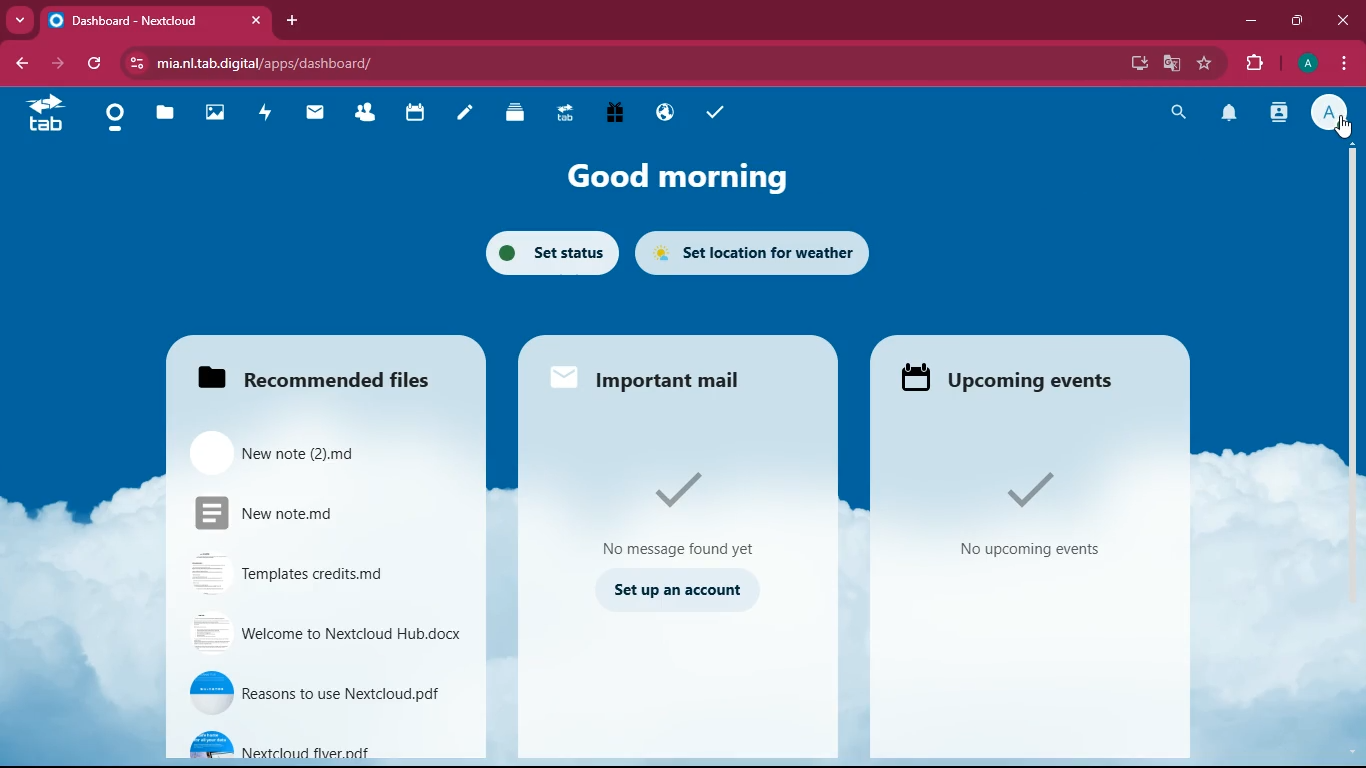 Image resolution: width=1366 pixels, height=768 pixels. Describe the element at coordinates (1253, 65) in the screenshot. I see `extensions` at that location.